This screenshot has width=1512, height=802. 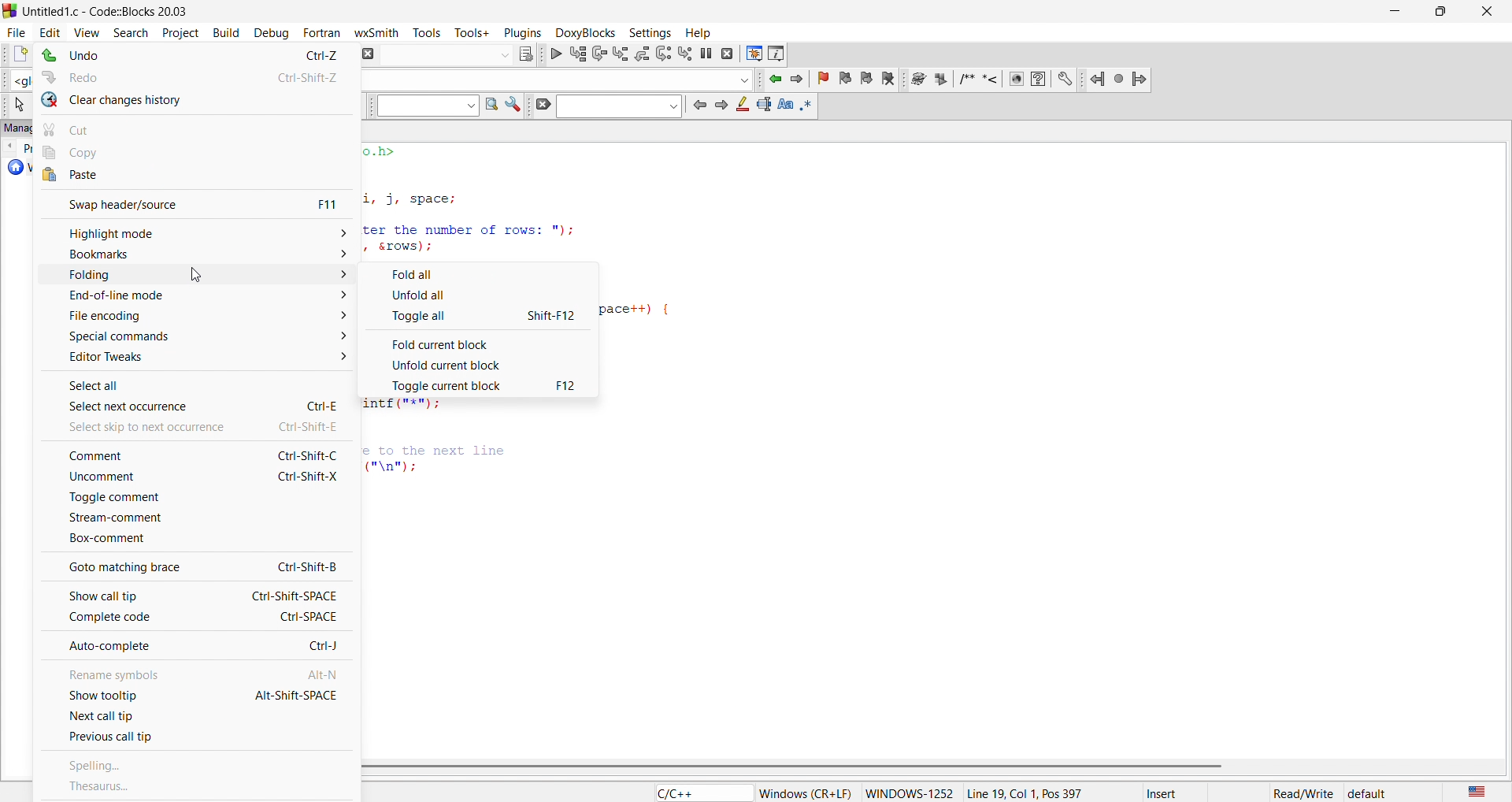 What do you see at coordinates (87, 31) in the screenshot?
I see `view` at bounding box center [87, 31].